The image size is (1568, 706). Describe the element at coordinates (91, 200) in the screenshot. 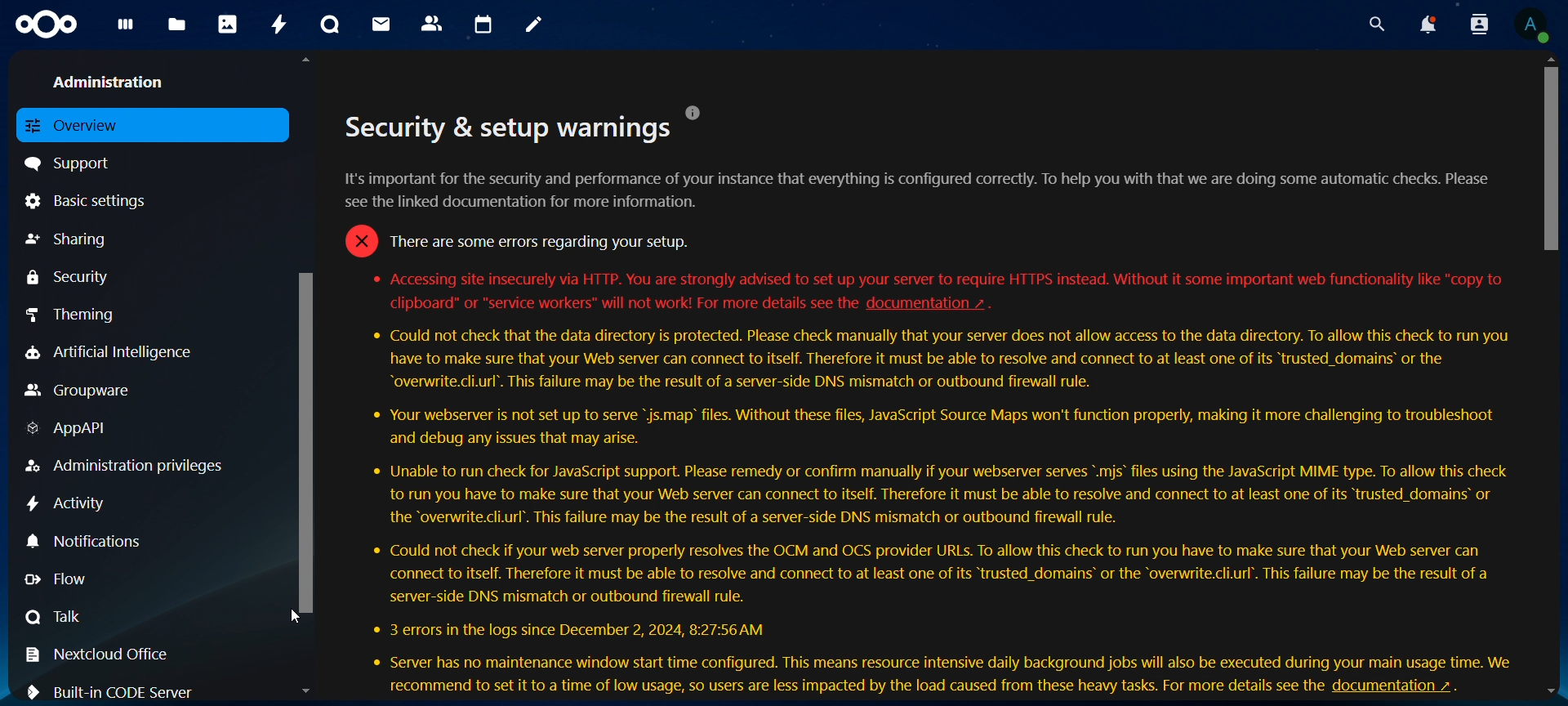

I see `basic settings` at that location.